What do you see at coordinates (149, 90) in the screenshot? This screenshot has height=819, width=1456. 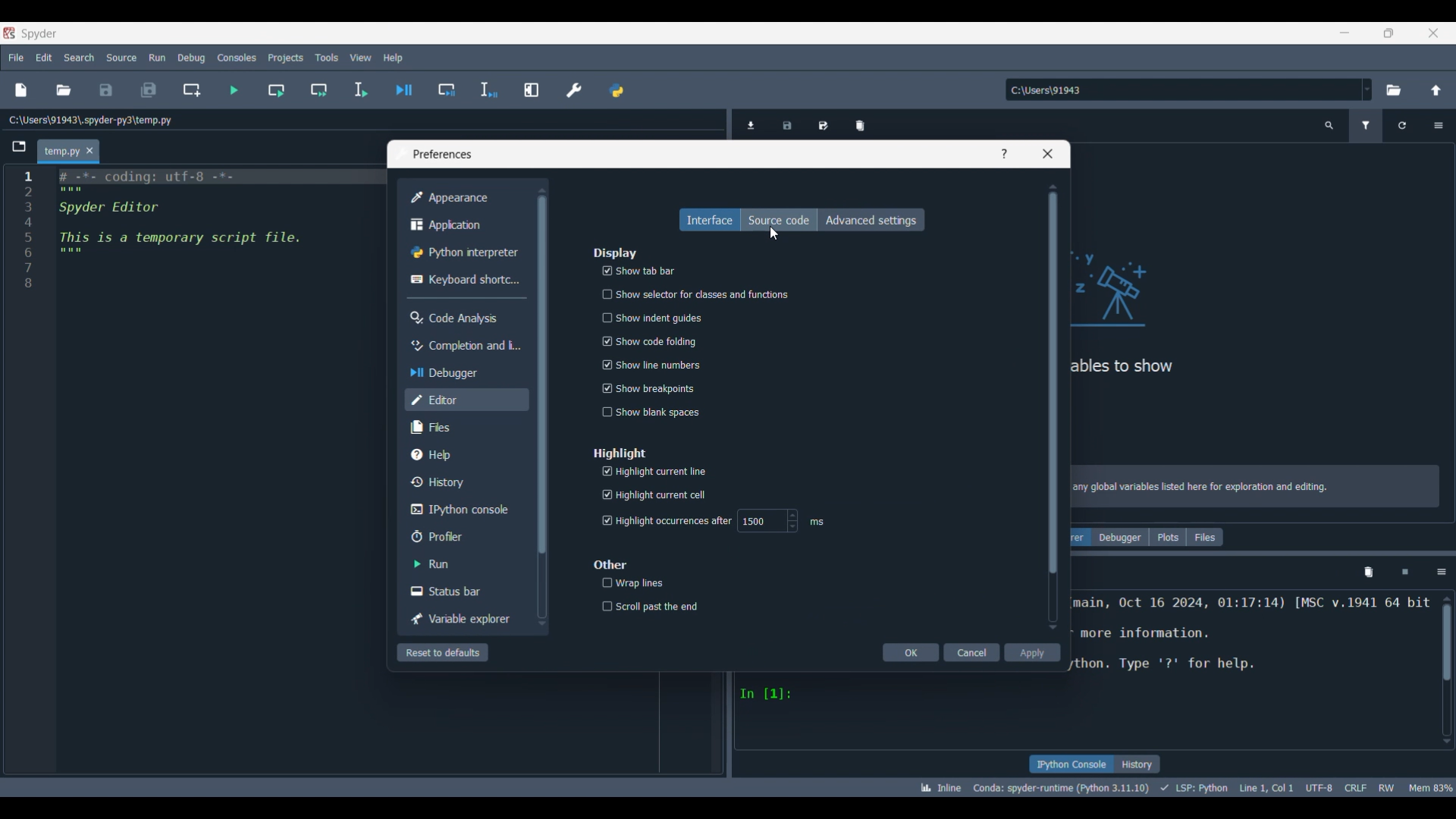 I see `Save all files` at bounding box center [149, 90].